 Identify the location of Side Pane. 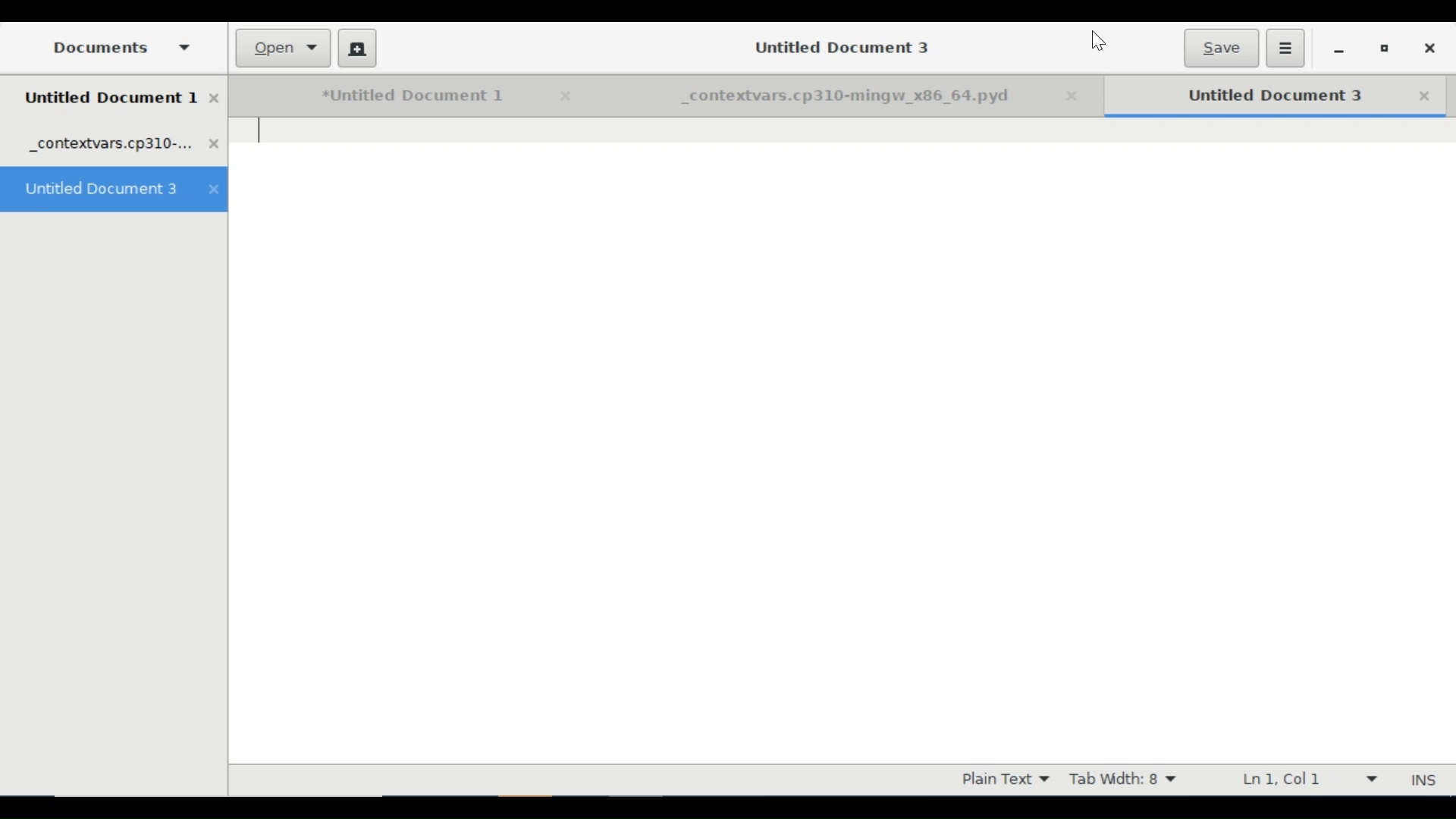
(118, 47).